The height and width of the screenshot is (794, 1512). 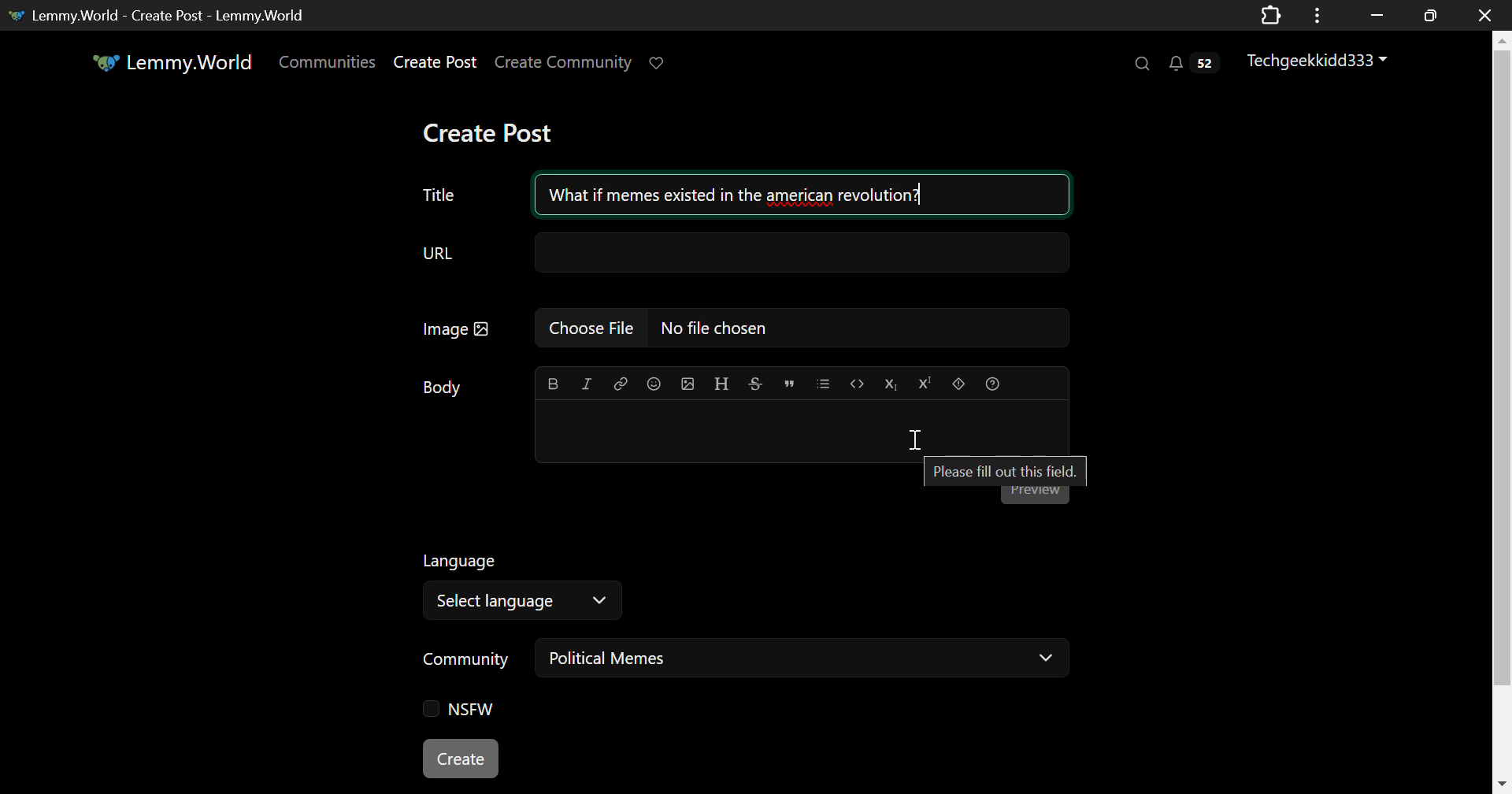 I want to click on Close window, so click(x=1487, y=14).